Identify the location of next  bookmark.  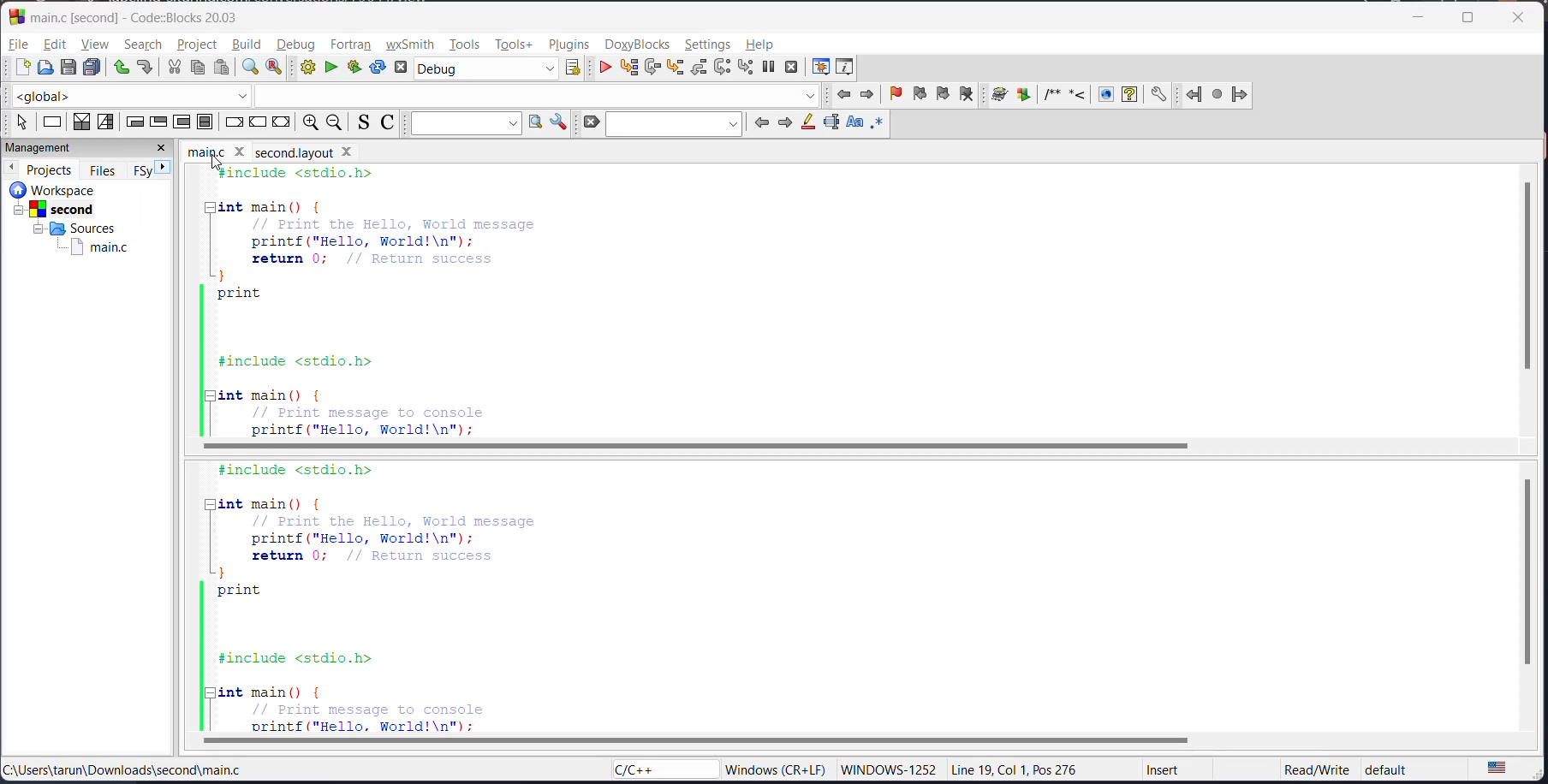
(943, 93).